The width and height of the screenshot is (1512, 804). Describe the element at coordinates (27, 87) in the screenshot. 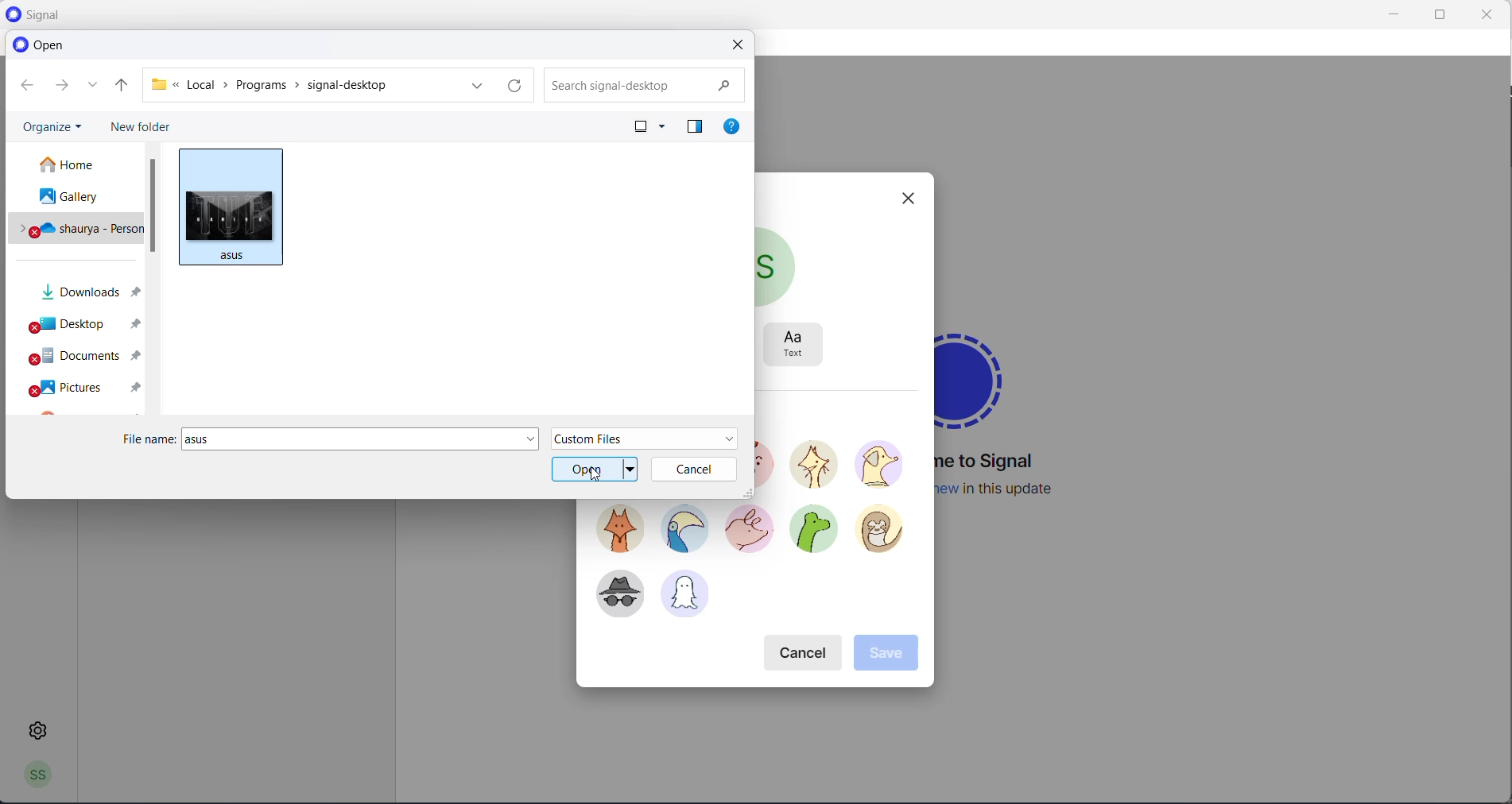

I see `go back` at that location.